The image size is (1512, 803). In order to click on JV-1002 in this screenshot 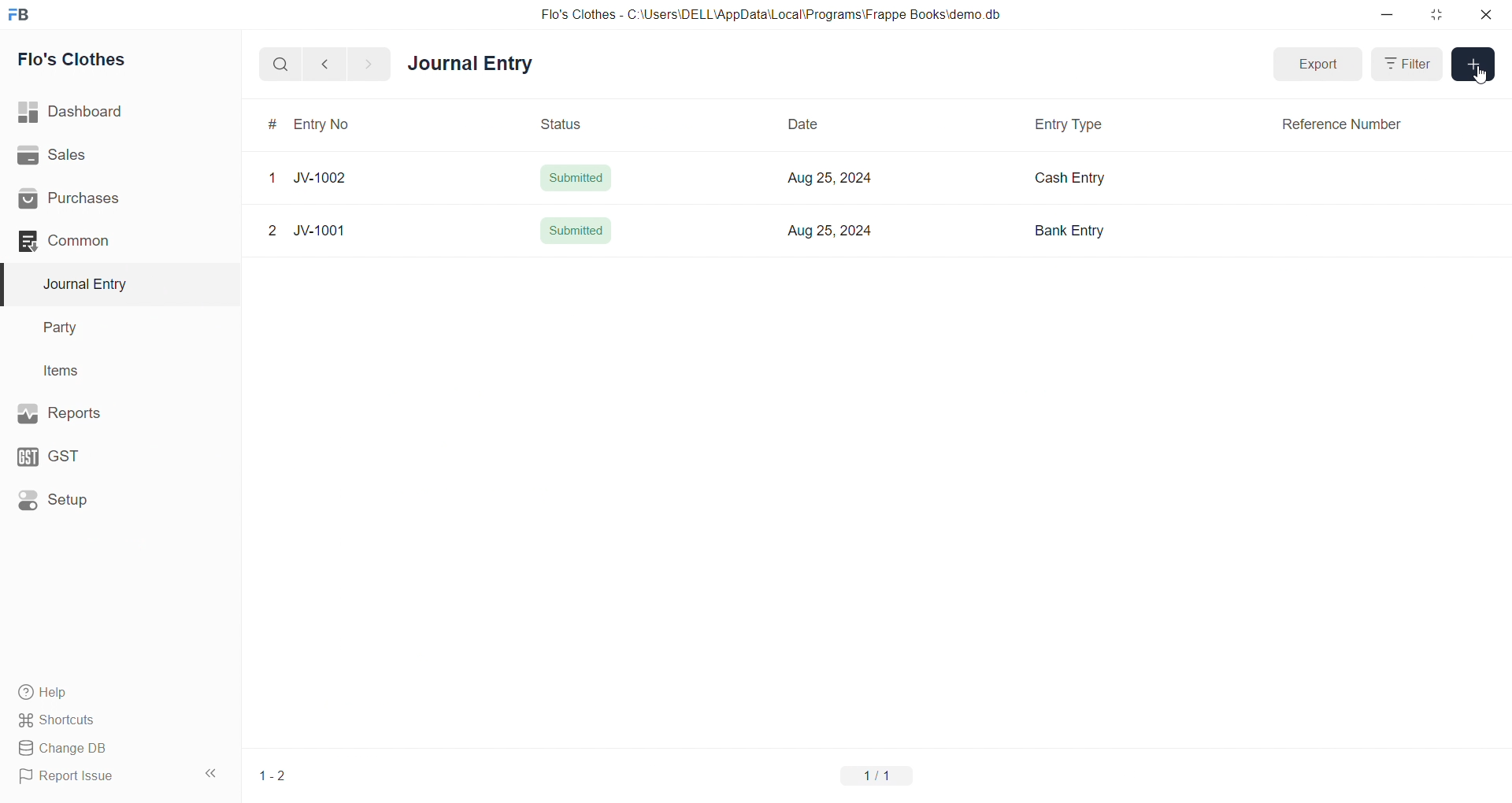, I will do `click(325, 179)`.